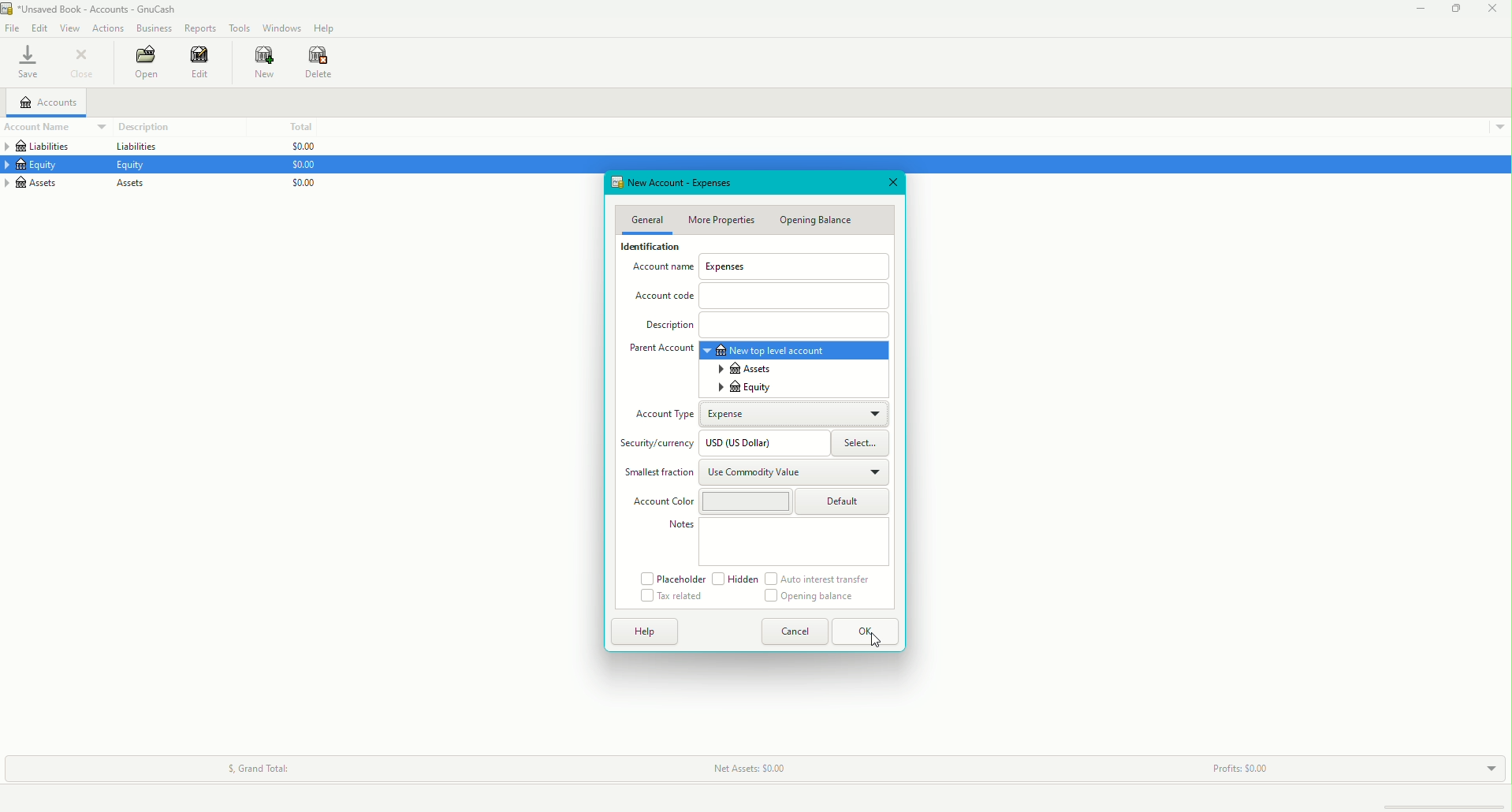 This screenshot has width=1512, height=812. I want to click on More Properties, so click(721, 219).